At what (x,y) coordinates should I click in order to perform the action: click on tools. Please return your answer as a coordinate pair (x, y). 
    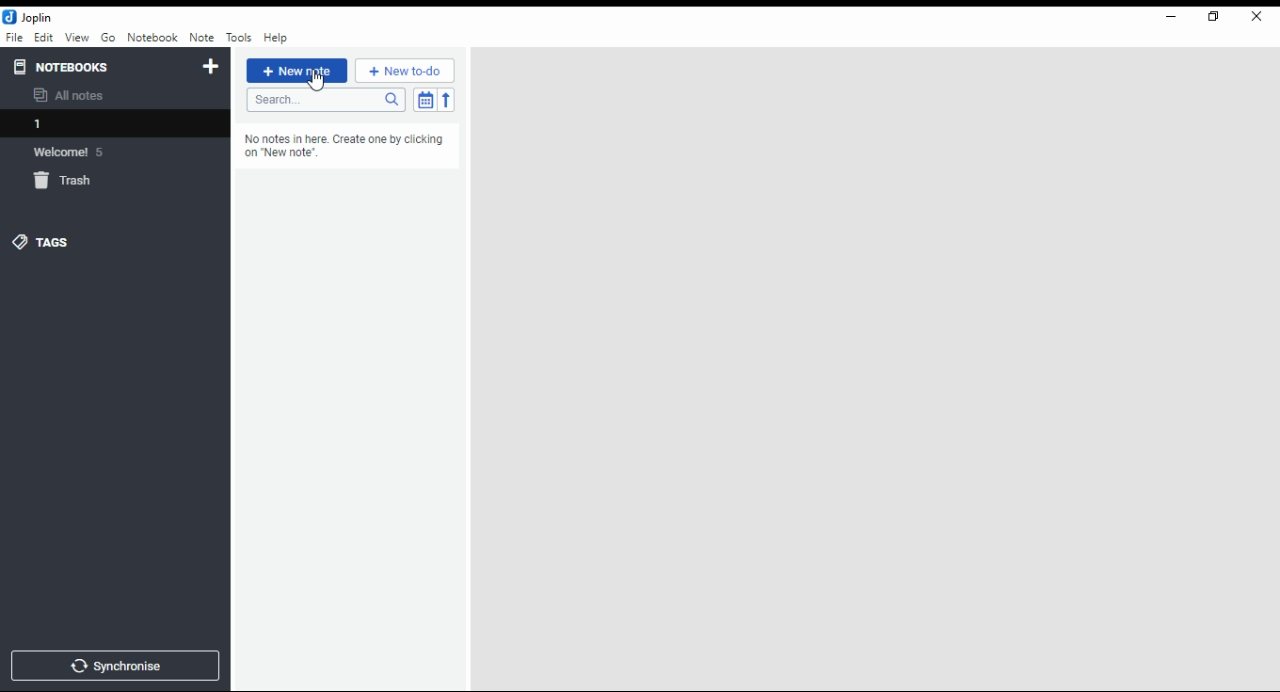
    Looking at the image, I should click on (238, 36).